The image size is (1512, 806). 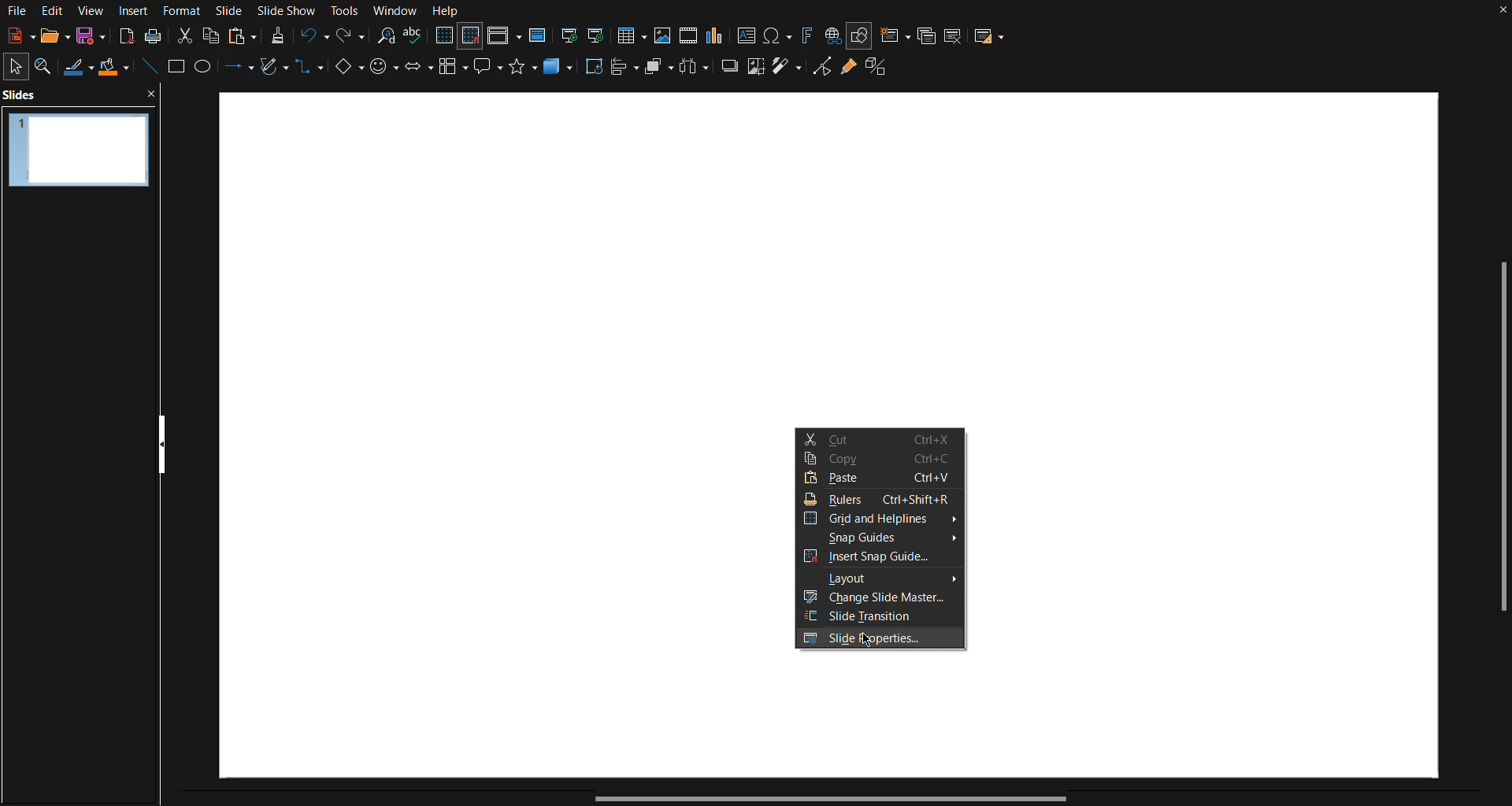 What do you see at coordinates (153, 36) in the screenshot?
I see `Print` at bounding box center [153, 36].